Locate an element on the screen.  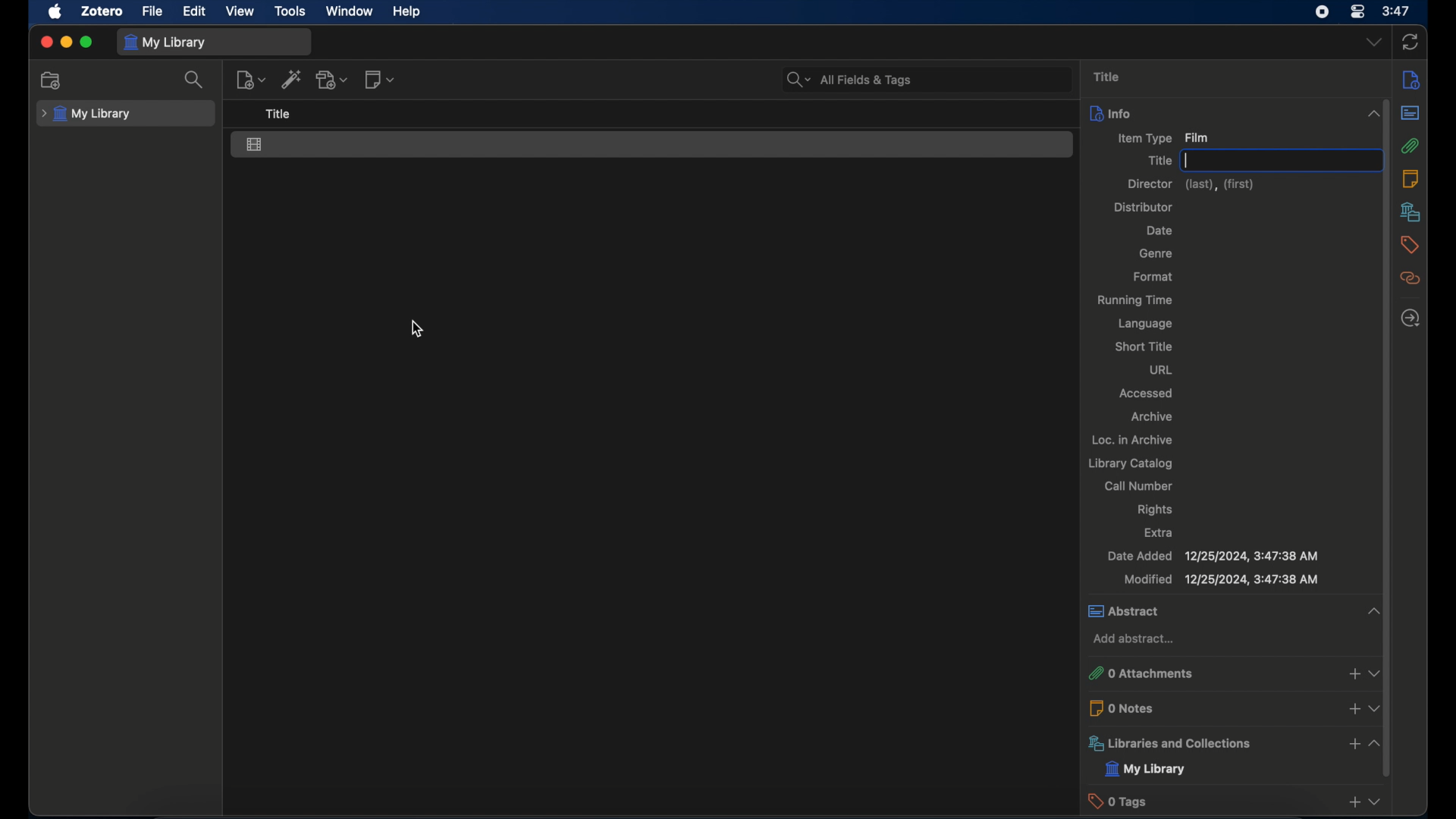
libraries is located at coordinates (1411, 212).